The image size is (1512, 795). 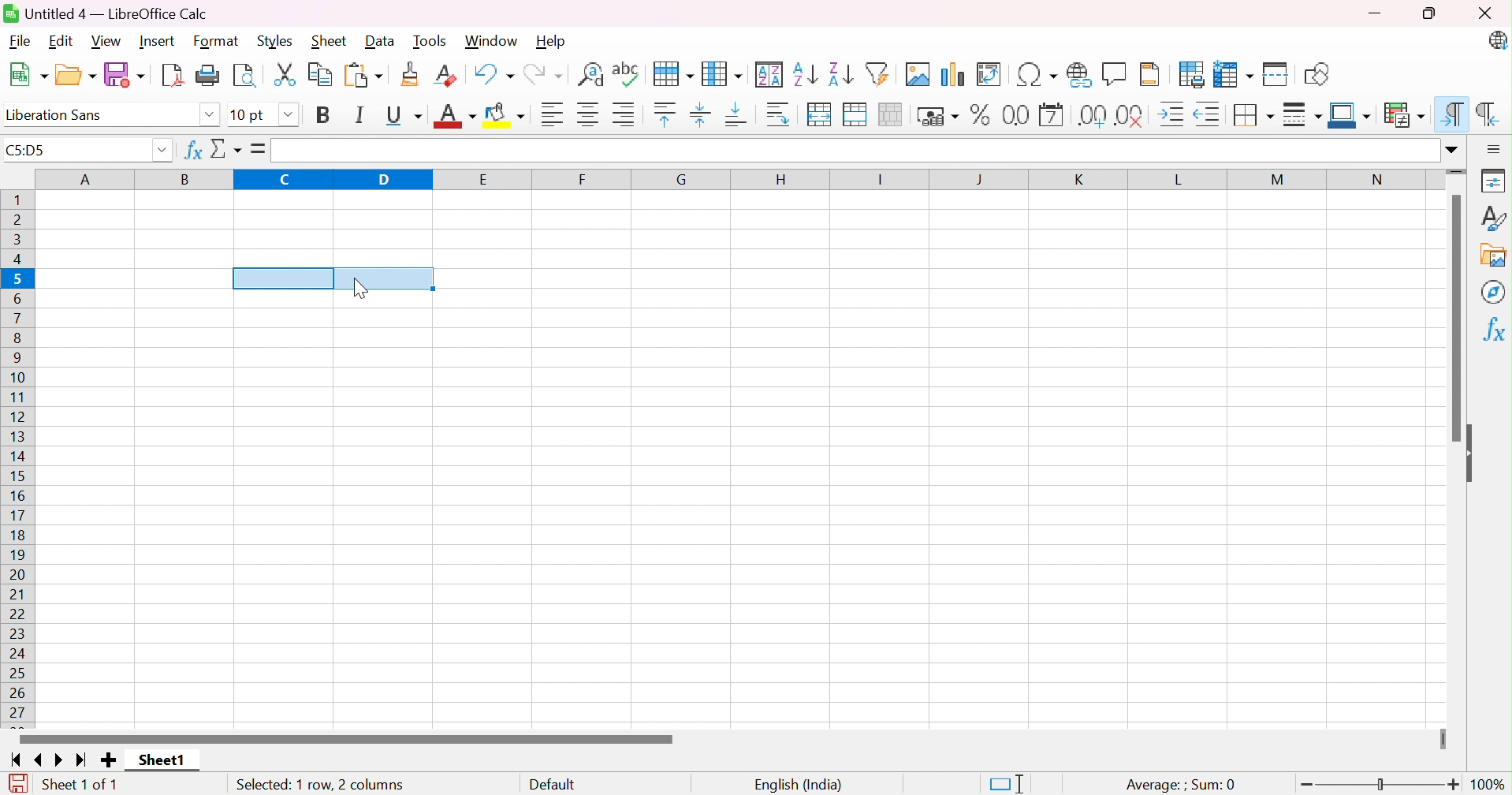 What do you see at coordinates (160, 761) in the screenshot?
I see `Sheet1` at bounding box center [160, 761].